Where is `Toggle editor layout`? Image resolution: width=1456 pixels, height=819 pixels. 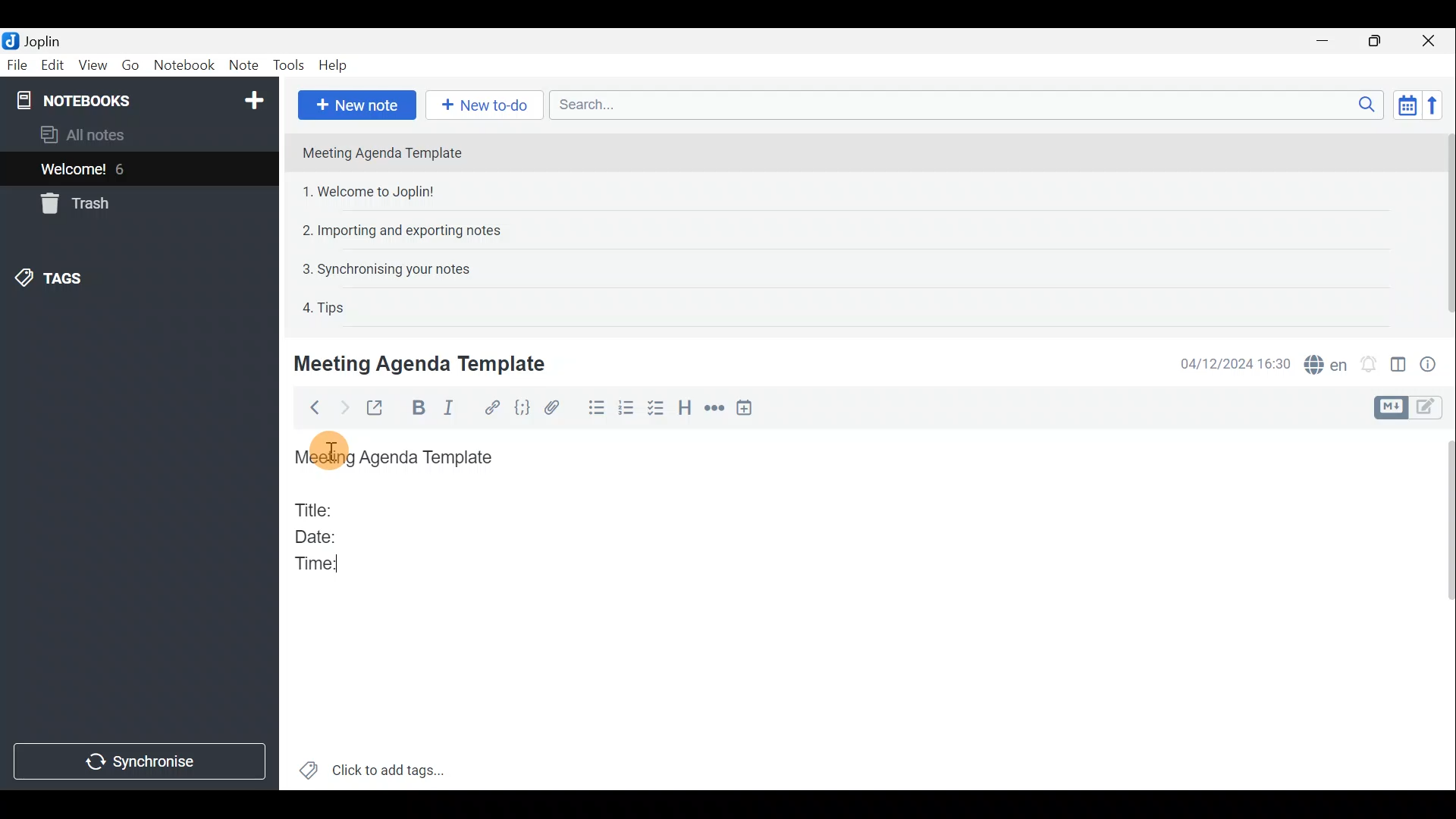
Toggle editor layout is located at coordinates (1399, 367).